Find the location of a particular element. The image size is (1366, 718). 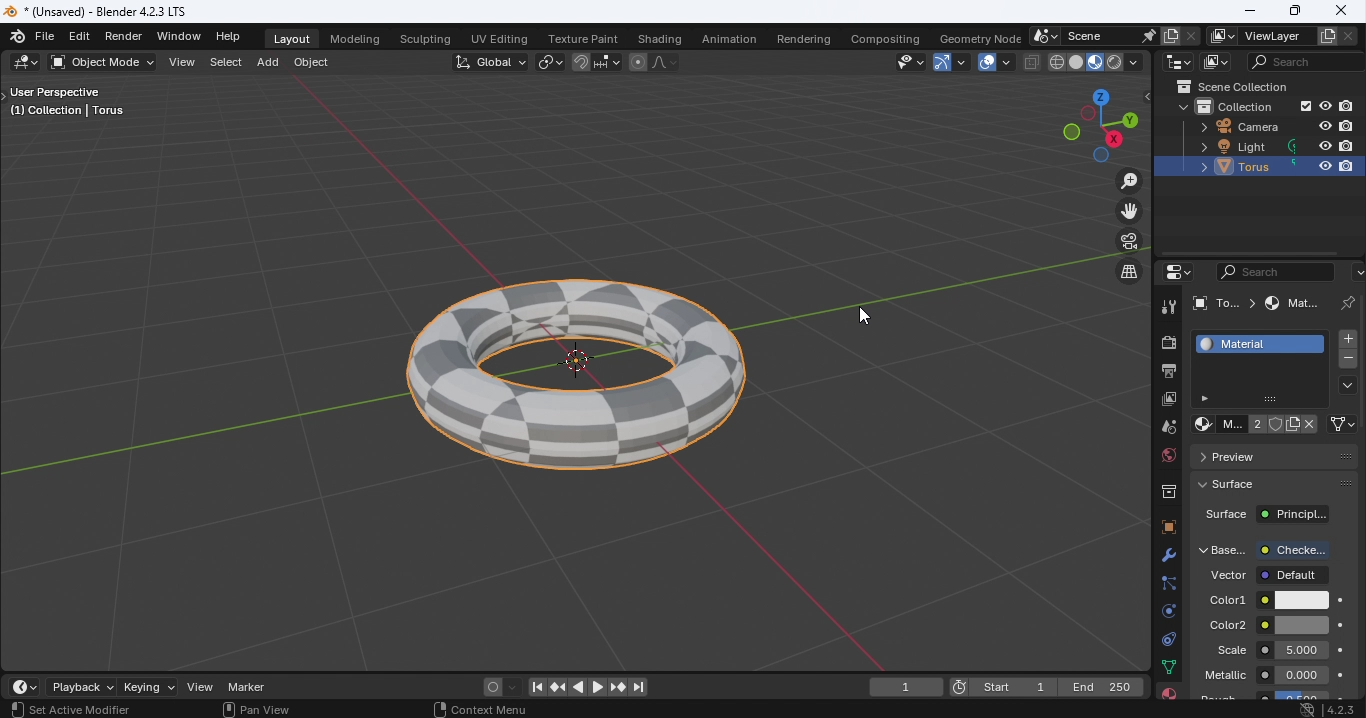

Vector is located at coordinates (1269, 575).